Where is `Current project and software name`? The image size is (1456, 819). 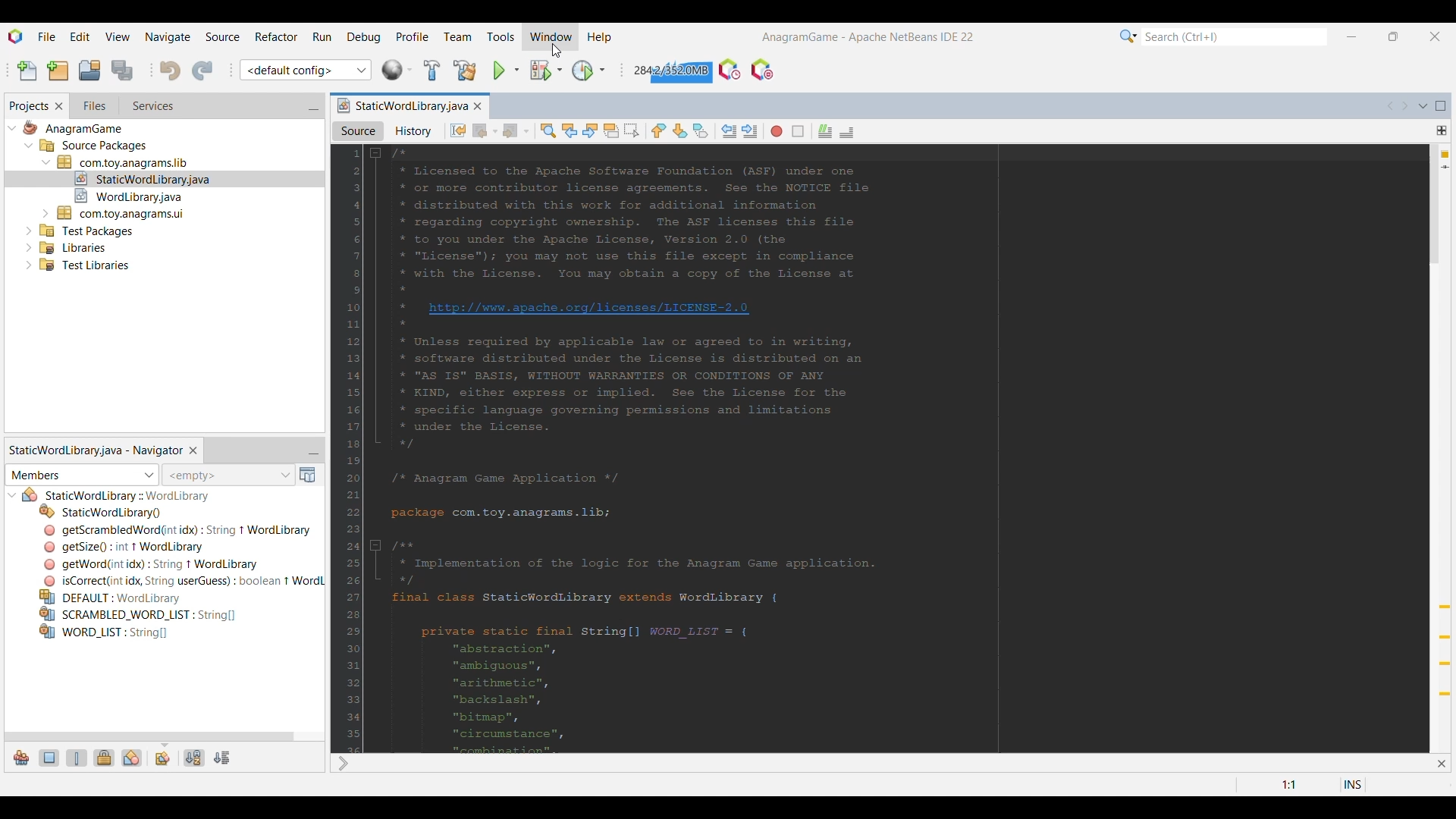 Current project and software name is located at coordinates (868, 37).